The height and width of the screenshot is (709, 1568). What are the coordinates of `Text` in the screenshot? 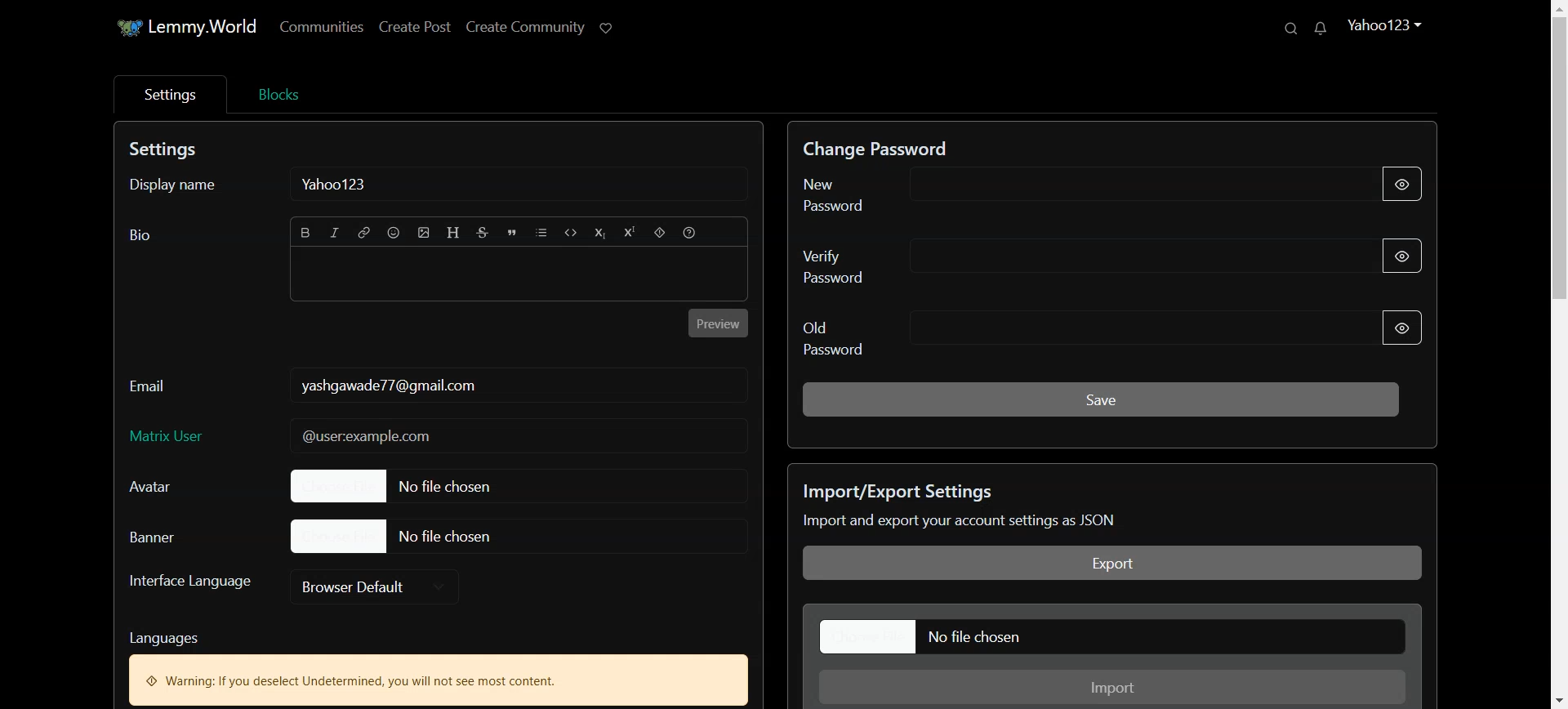 It's located at (387, 385).